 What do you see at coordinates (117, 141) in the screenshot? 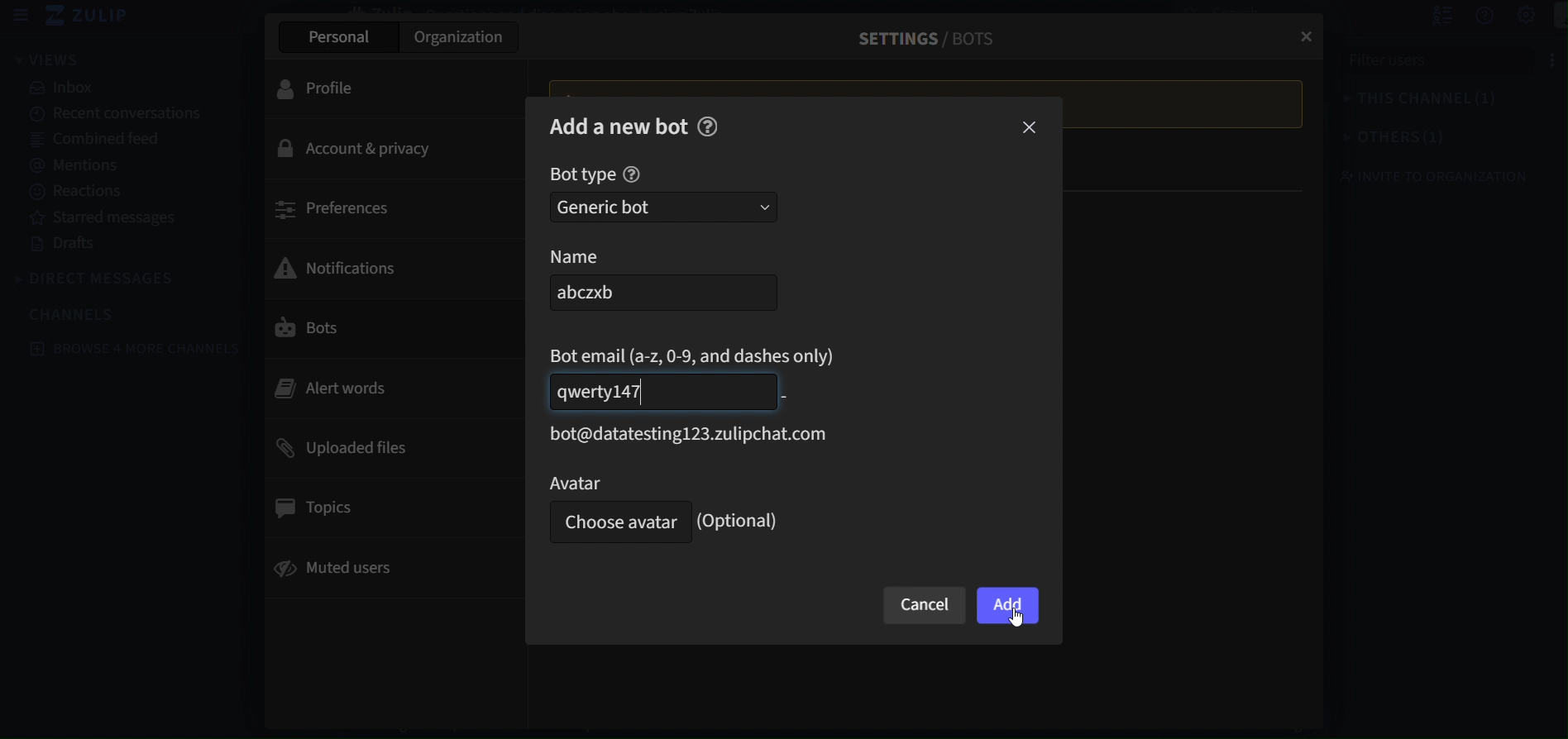
I see `combined feed` at bounding box center [117, 141].